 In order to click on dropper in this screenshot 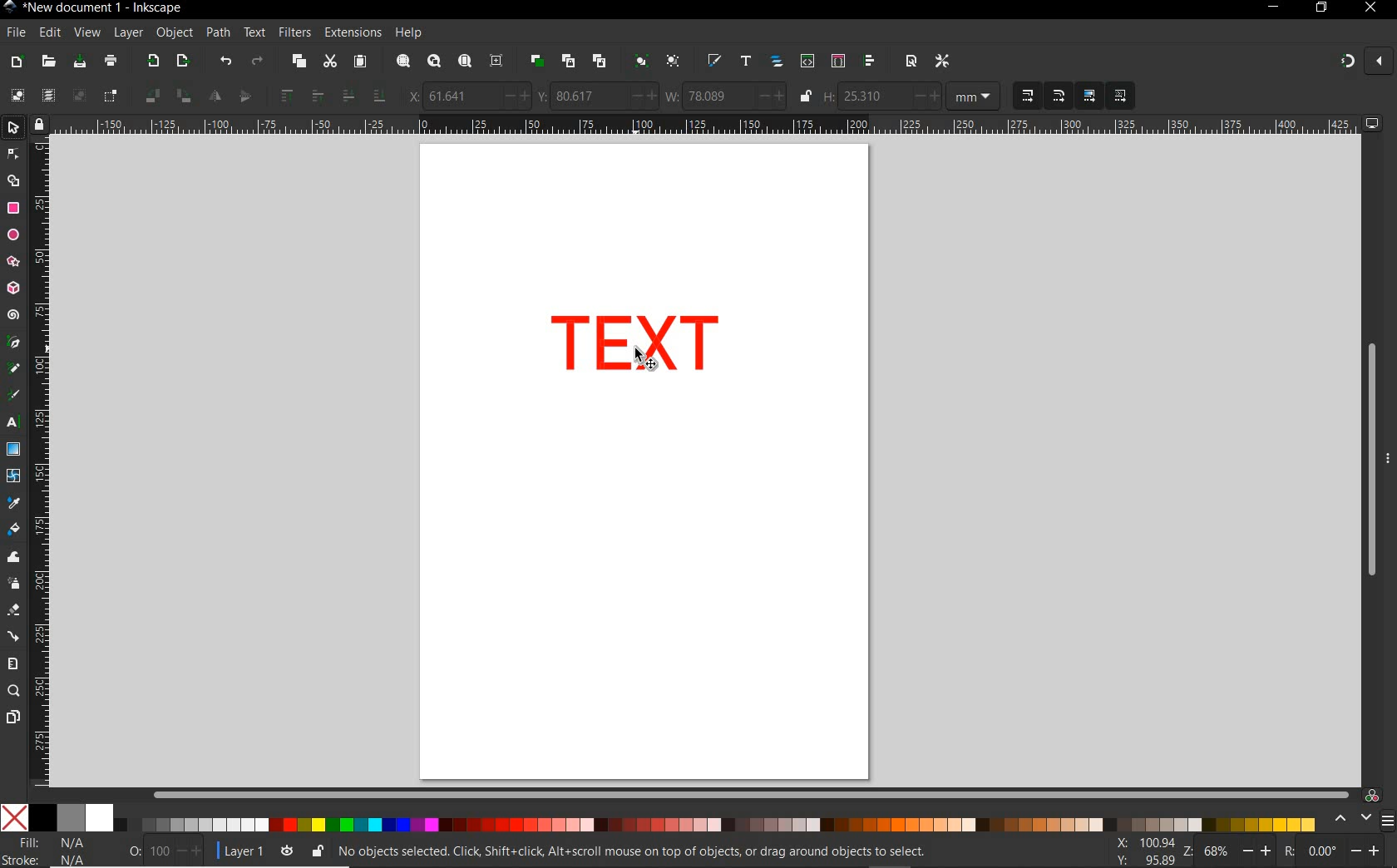, I will do `click(14, 503)`.